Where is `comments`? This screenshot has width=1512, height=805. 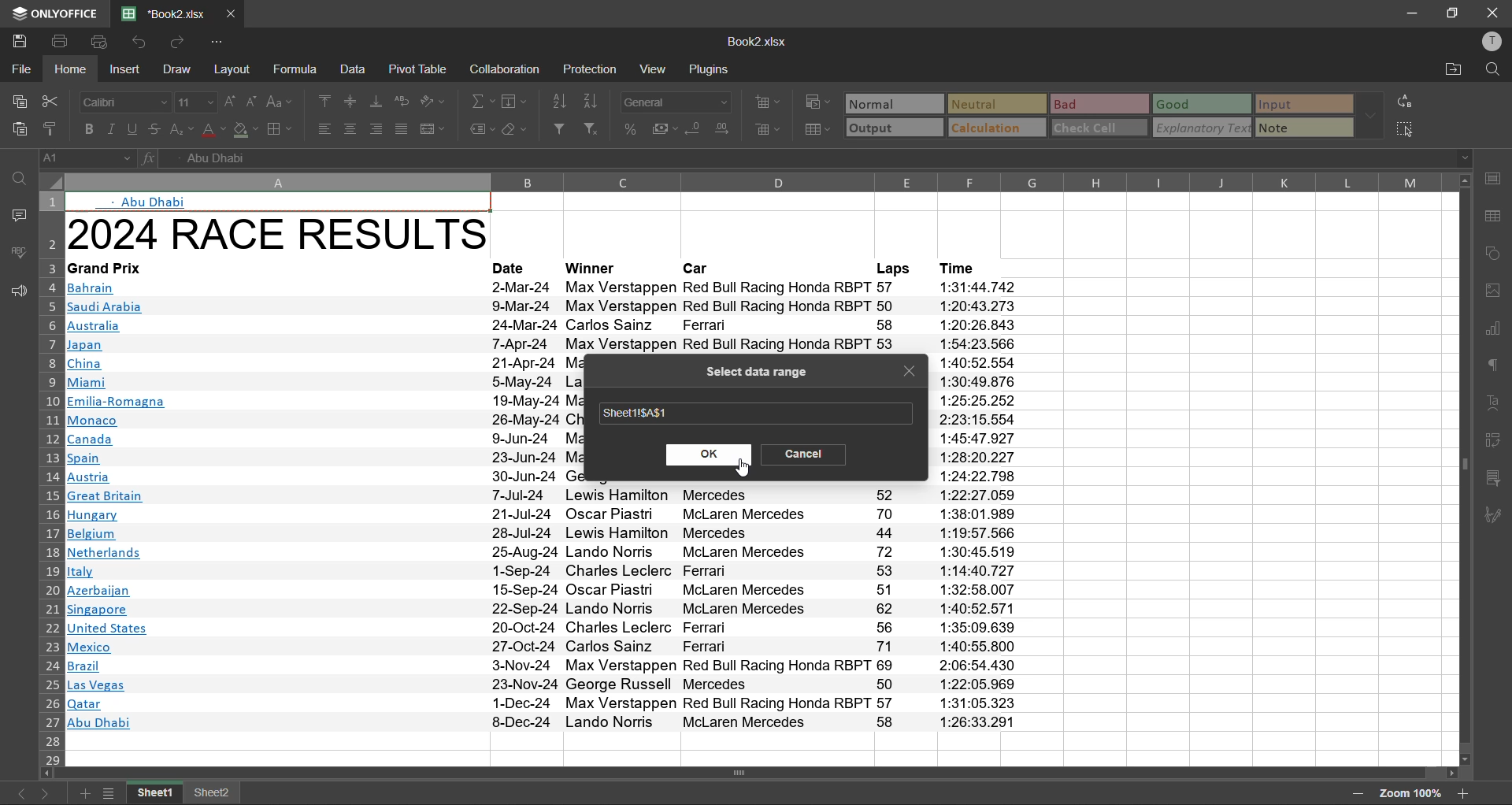 comments is located at coordinates (20, 216).